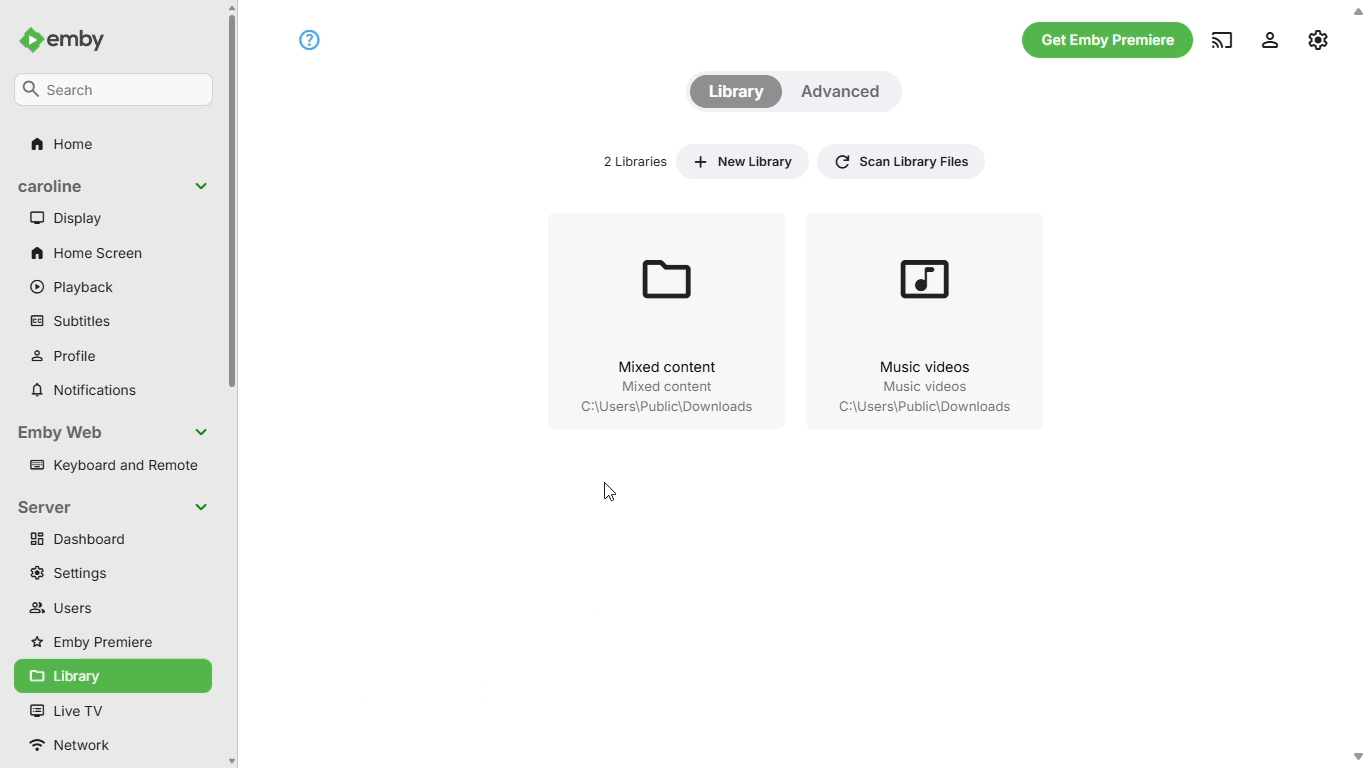  Describe the element at coordinates (67, 217) in the screenshot. I see `display` at that location.